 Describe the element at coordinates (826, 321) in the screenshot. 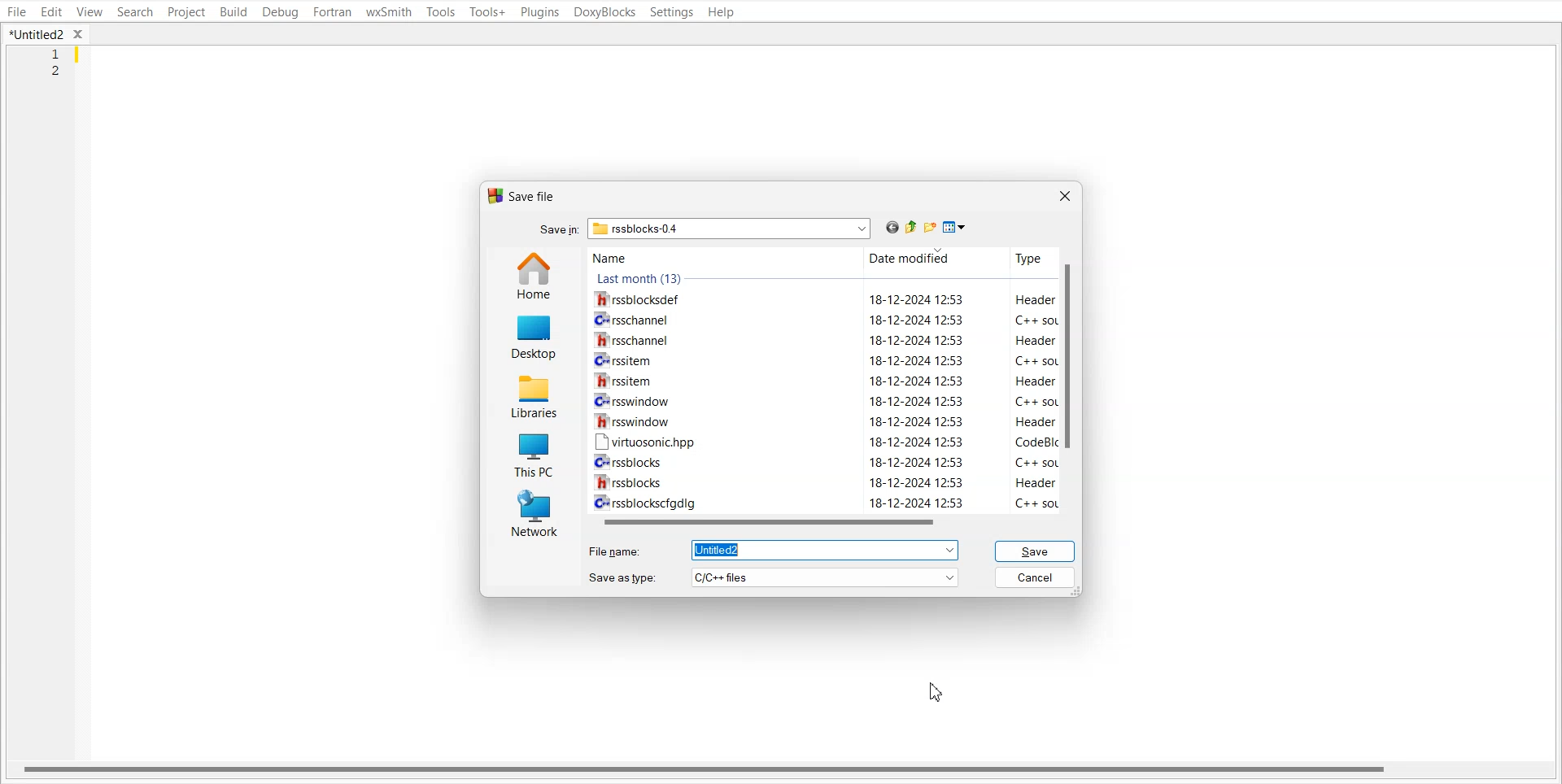

I see `C= rsschannel 18-12-2024 12:53 C++ sot` at that location.